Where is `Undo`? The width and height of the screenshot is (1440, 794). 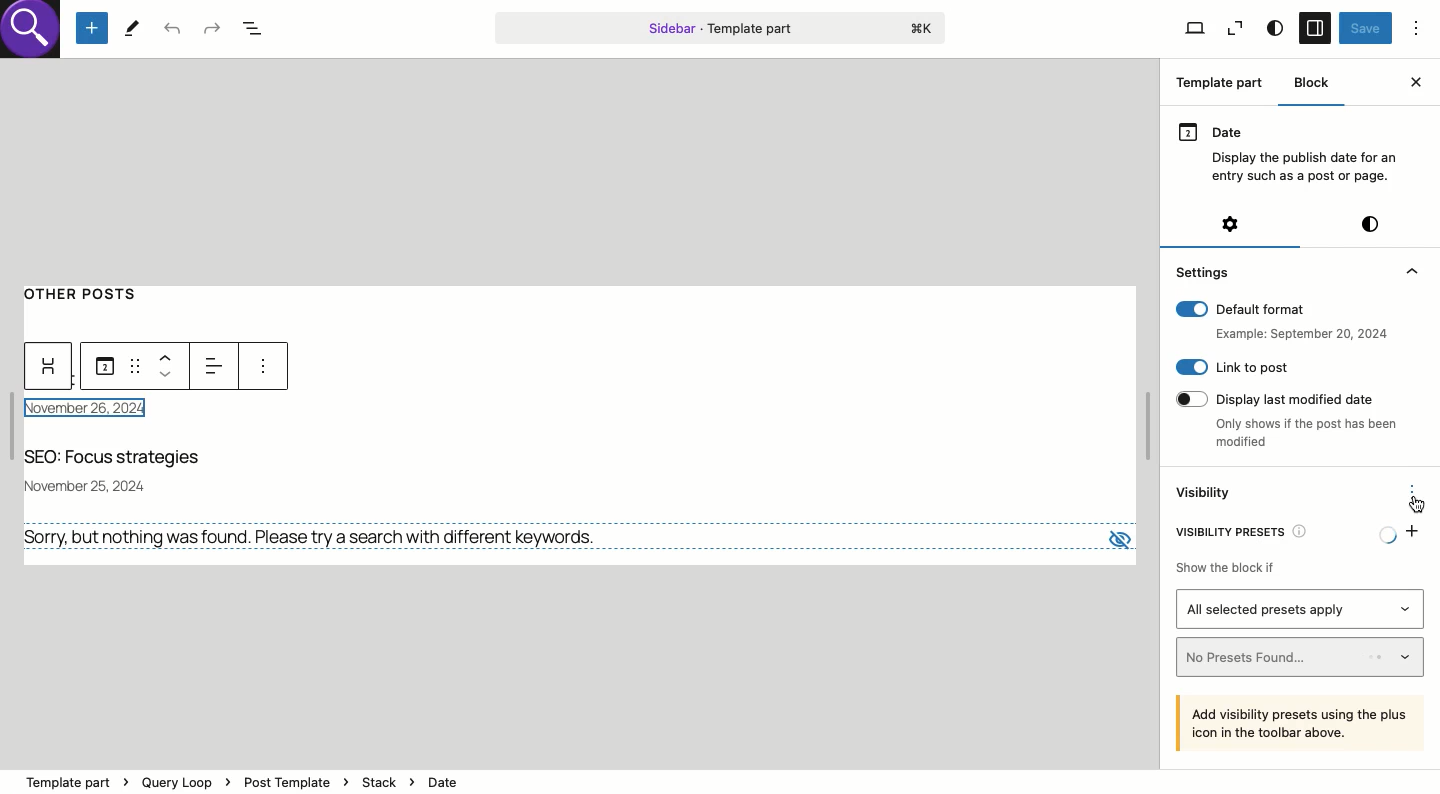
Undo is located at coordinates (173, 30).